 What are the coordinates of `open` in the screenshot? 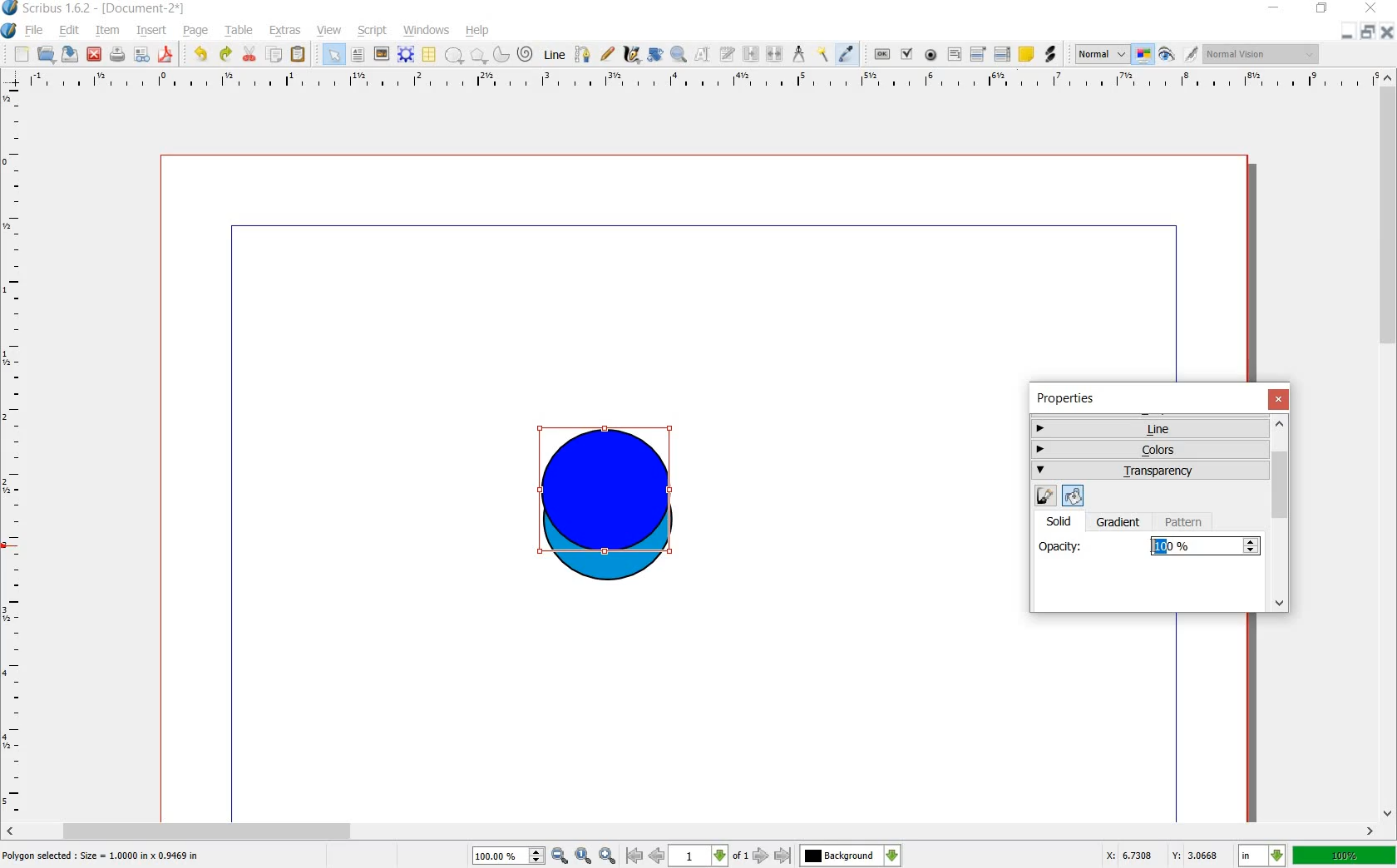 It's located at (45, 54).